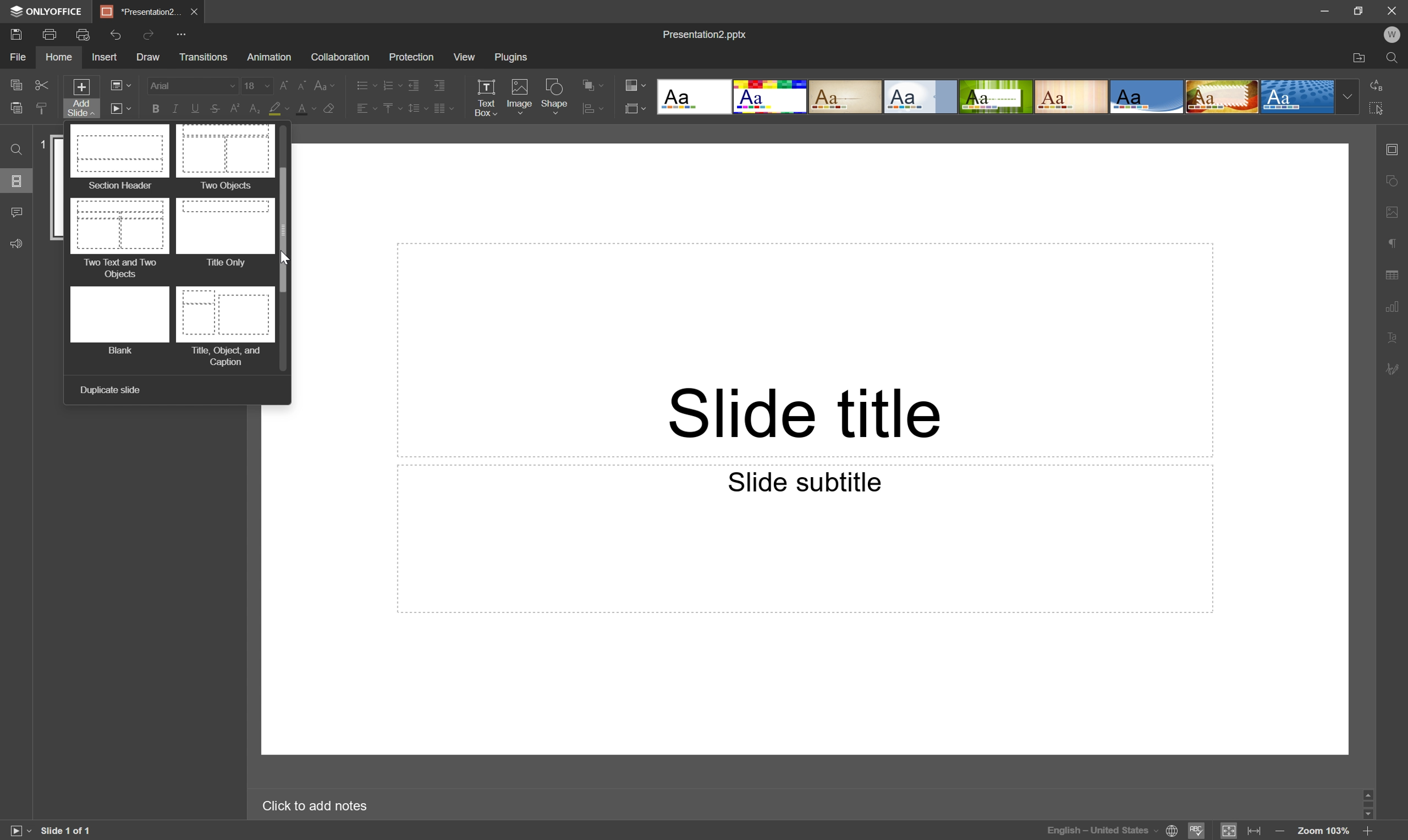 This screenshot has width=1408, height=840. What do you see at coordinates (1395, 179) in the screenshot?
I see `Shape settings` at bounding box center [1395, 179].